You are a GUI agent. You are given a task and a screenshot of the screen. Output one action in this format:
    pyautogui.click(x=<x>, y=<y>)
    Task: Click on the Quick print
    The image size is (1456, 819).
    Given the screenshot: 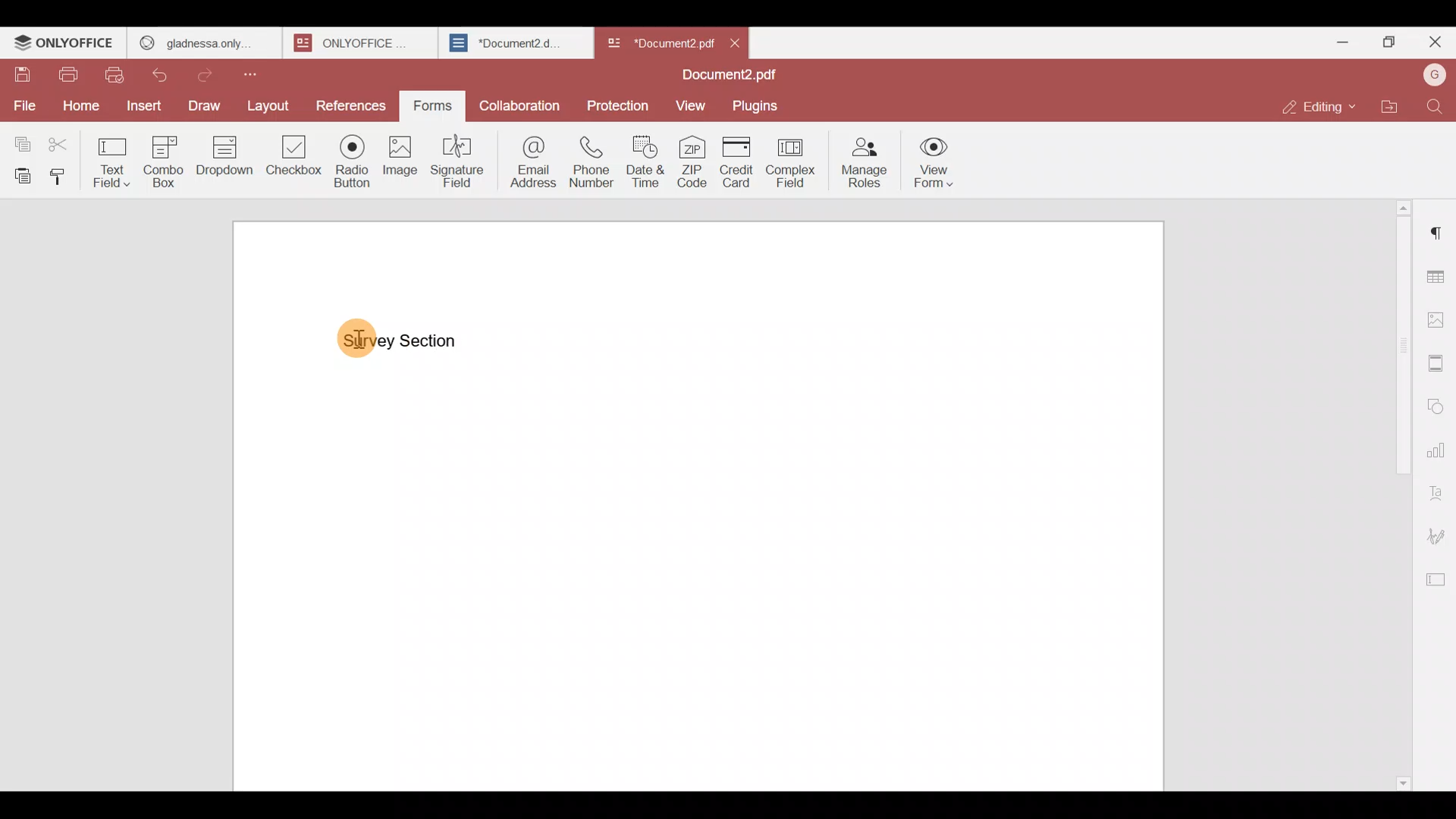 What is the action you would take?
    pyautogui.click(x=120, y=75)
    